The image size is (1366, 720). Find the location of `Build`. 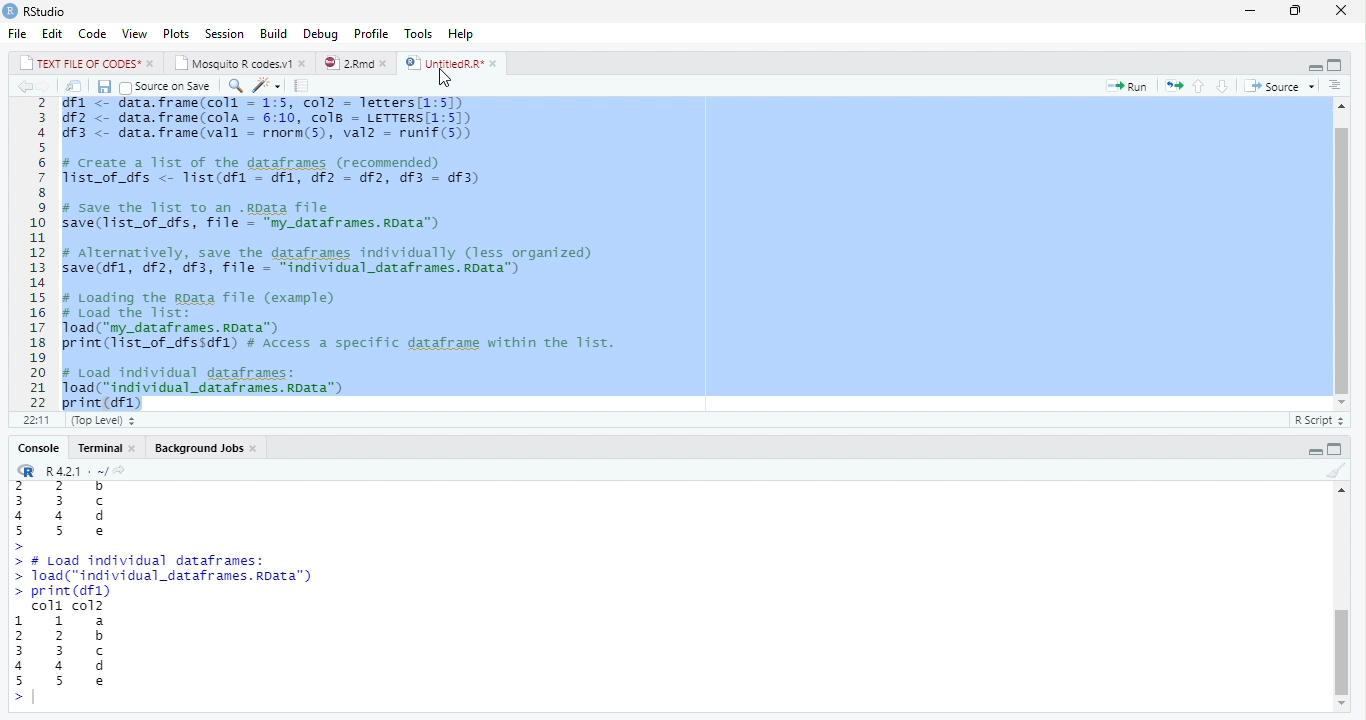

Build is located at coordinates (275, 32).